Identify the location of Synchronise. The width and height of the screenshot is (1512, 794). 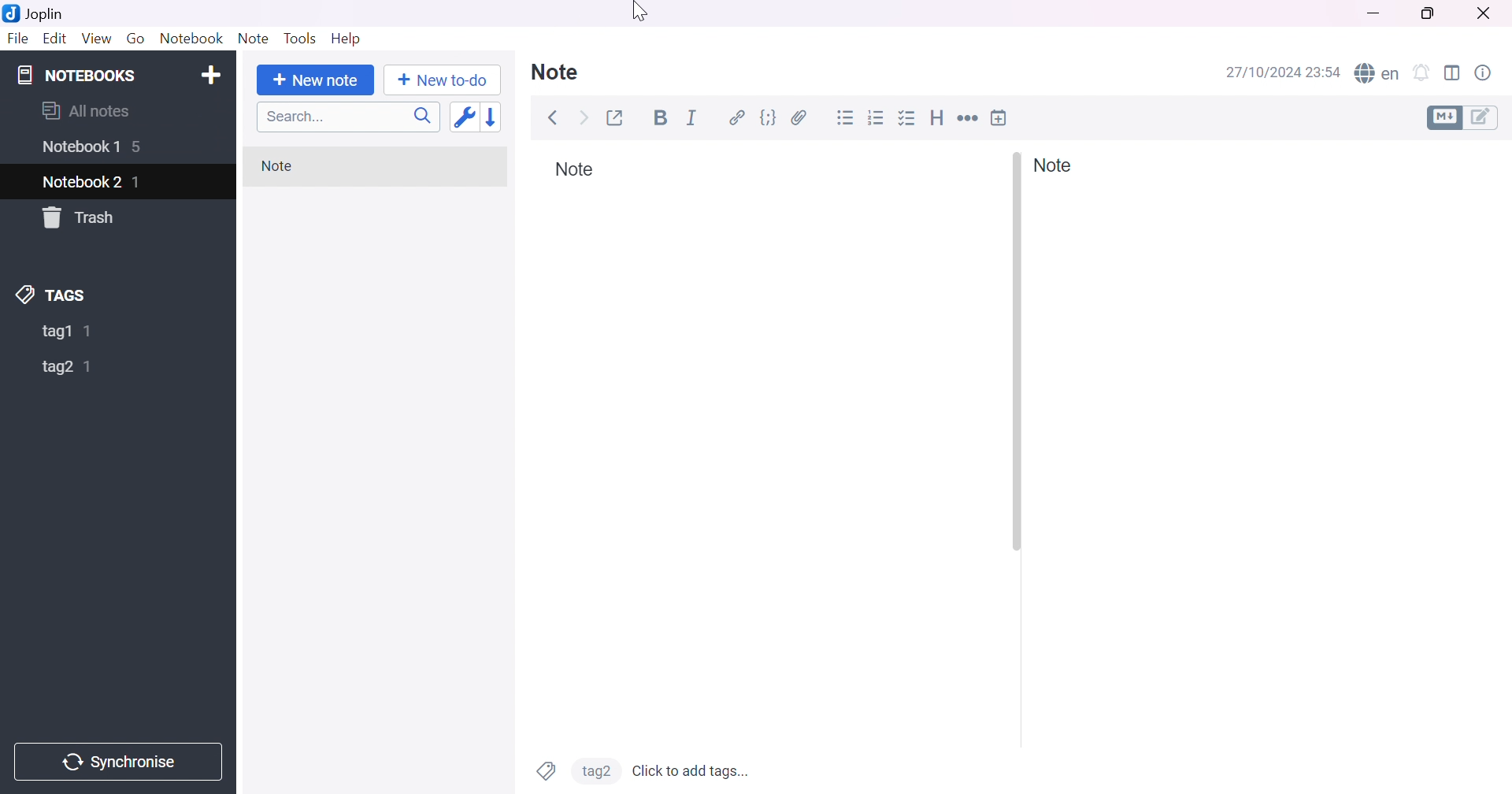
(117, 759).